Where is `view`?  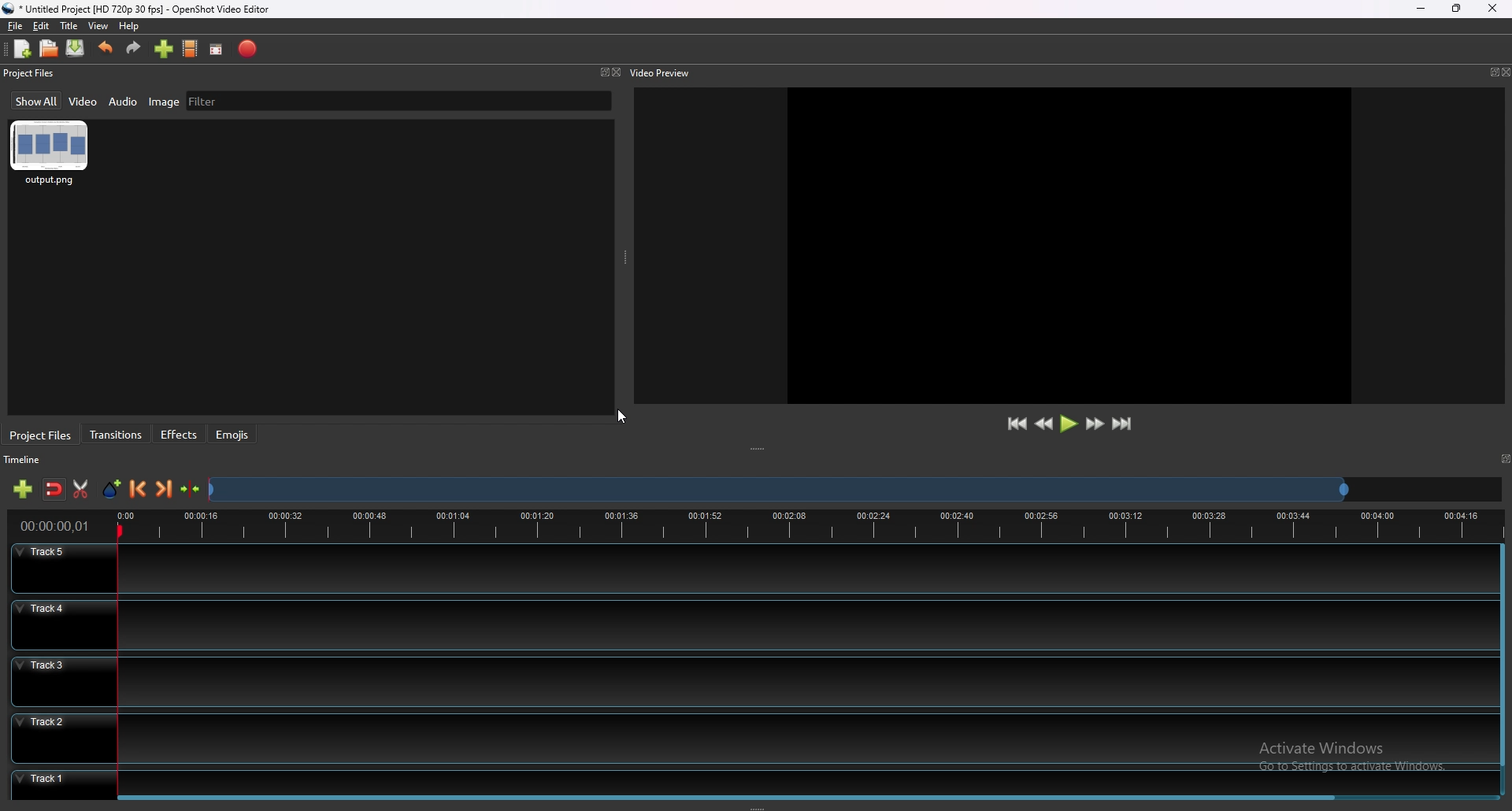
view is located at coordinates (98, 26).